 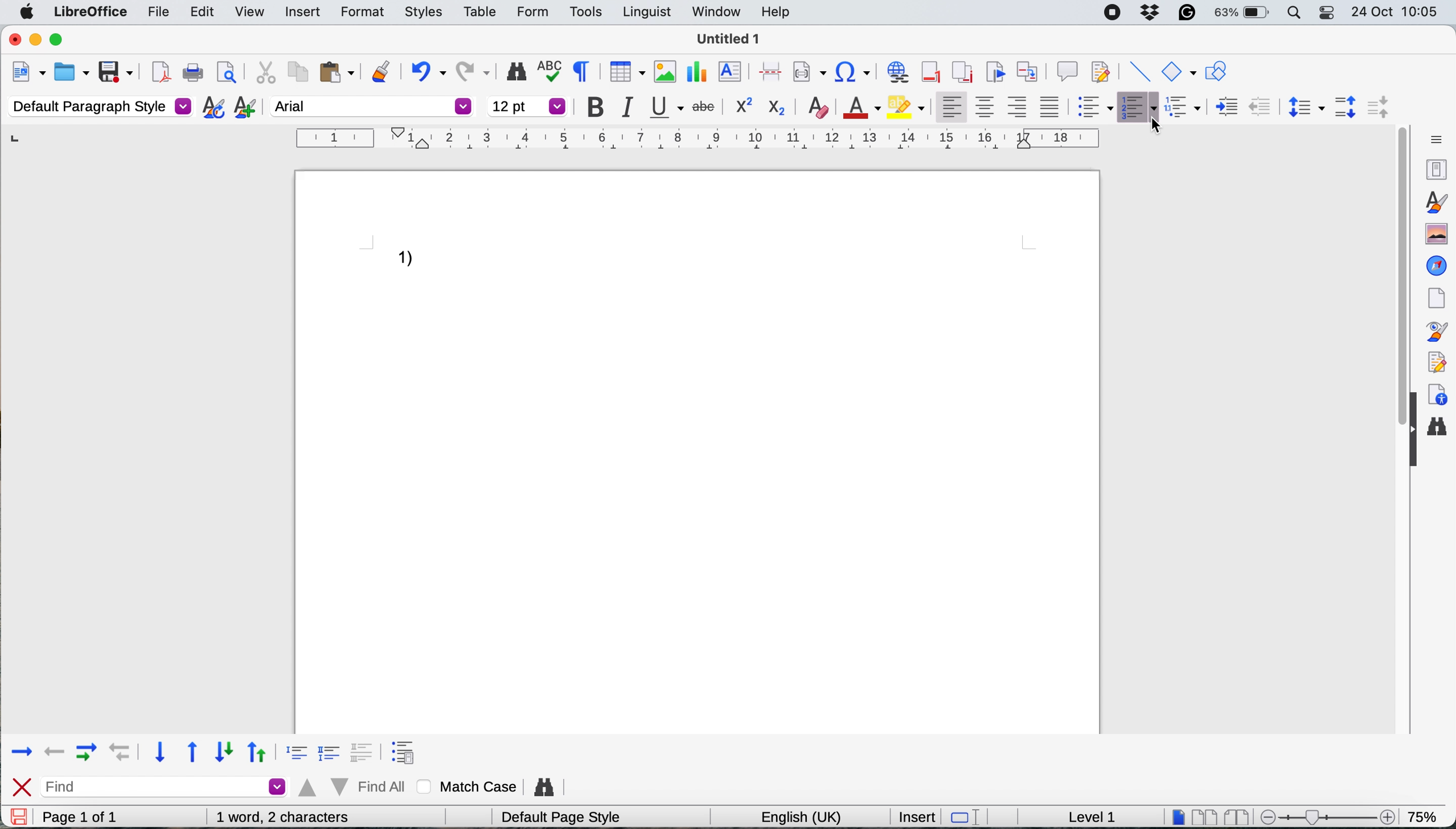 I want to click on up, so click(x=258, y=750).